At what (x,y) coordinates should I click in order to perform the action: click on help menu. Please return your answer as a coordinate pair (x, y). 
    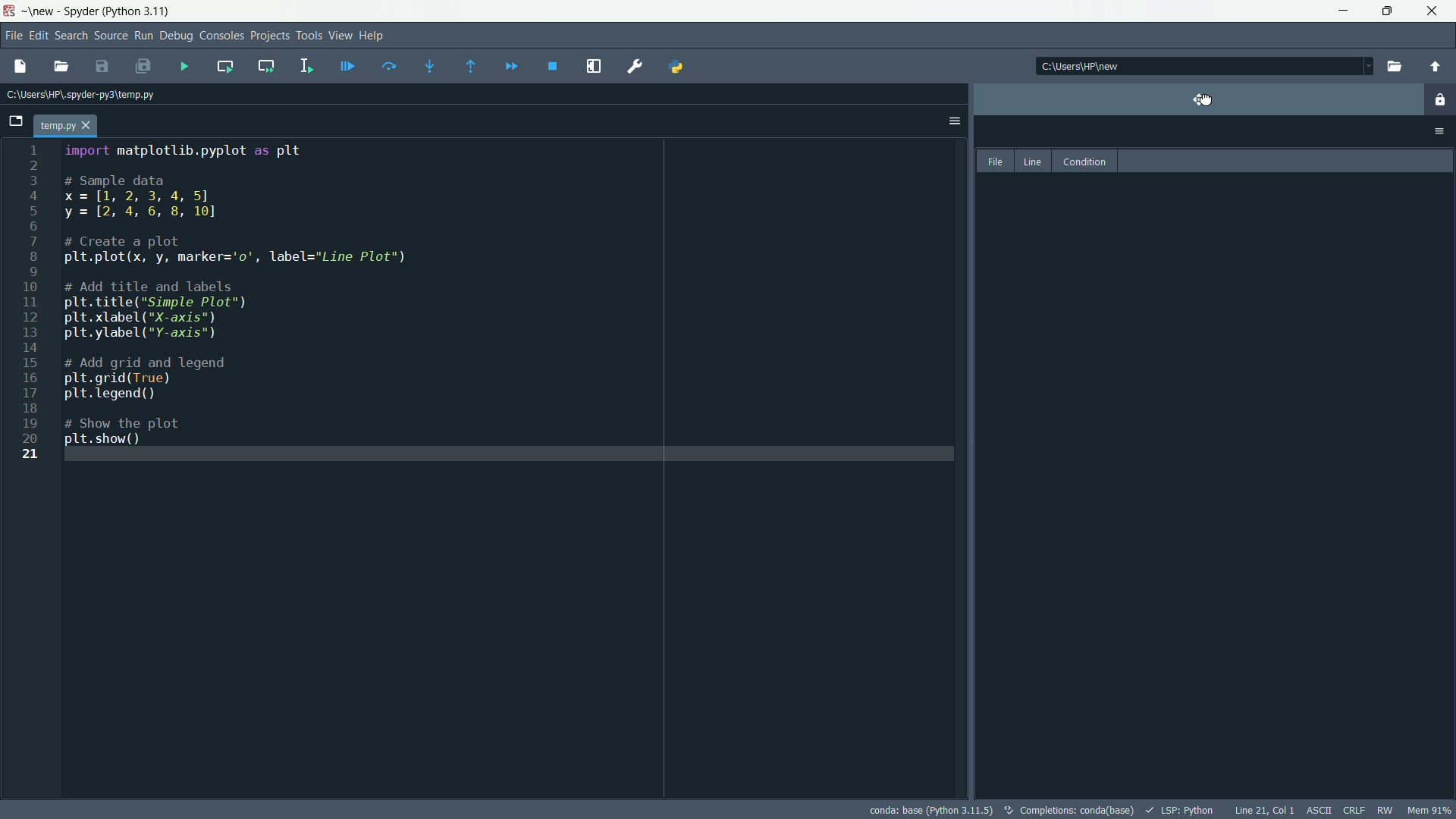
    Looking at the image, I should click on (373, 36).